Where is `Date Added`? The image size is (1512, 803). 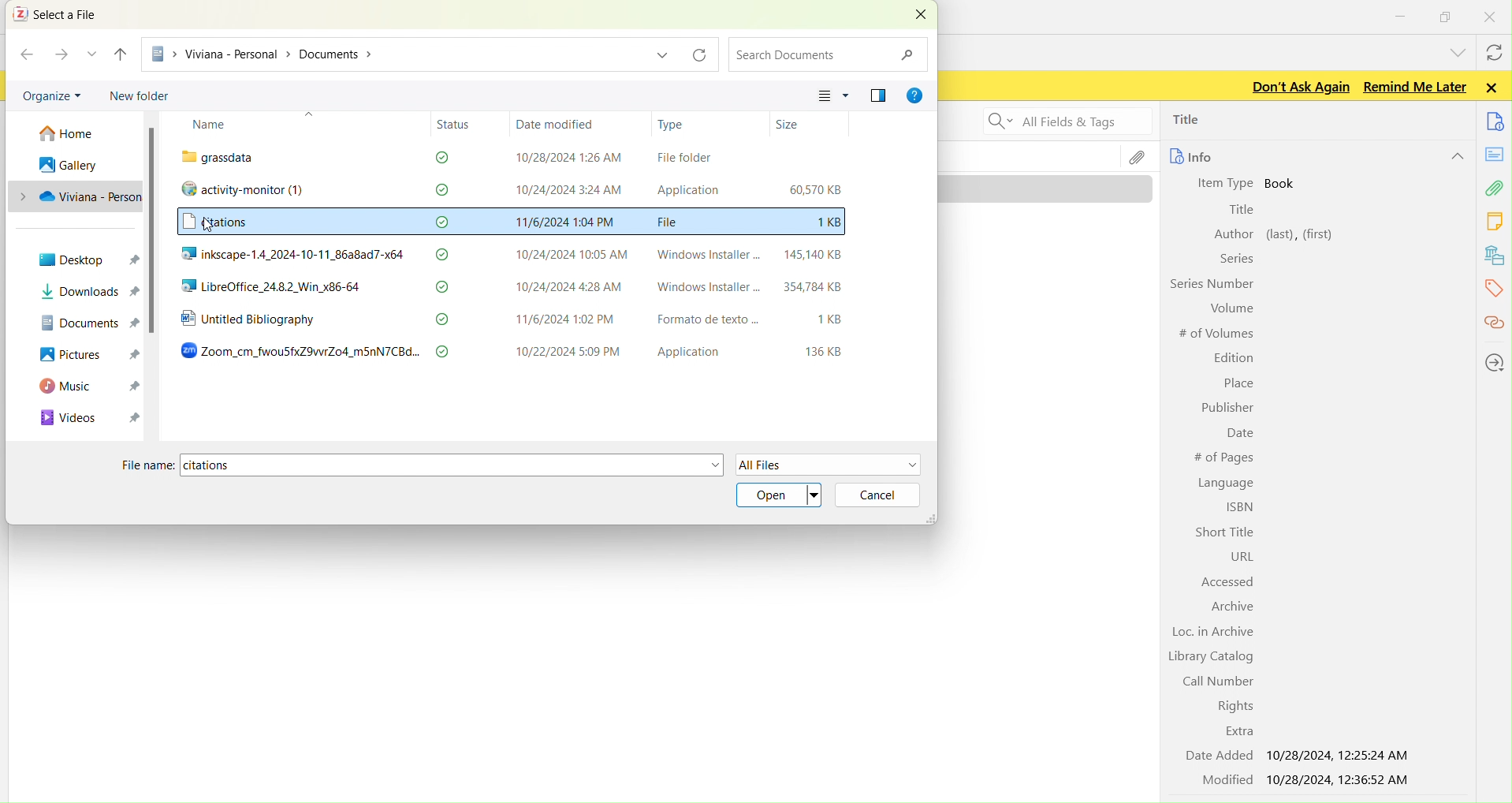
Date Added is located at coordinates (1216, 756).